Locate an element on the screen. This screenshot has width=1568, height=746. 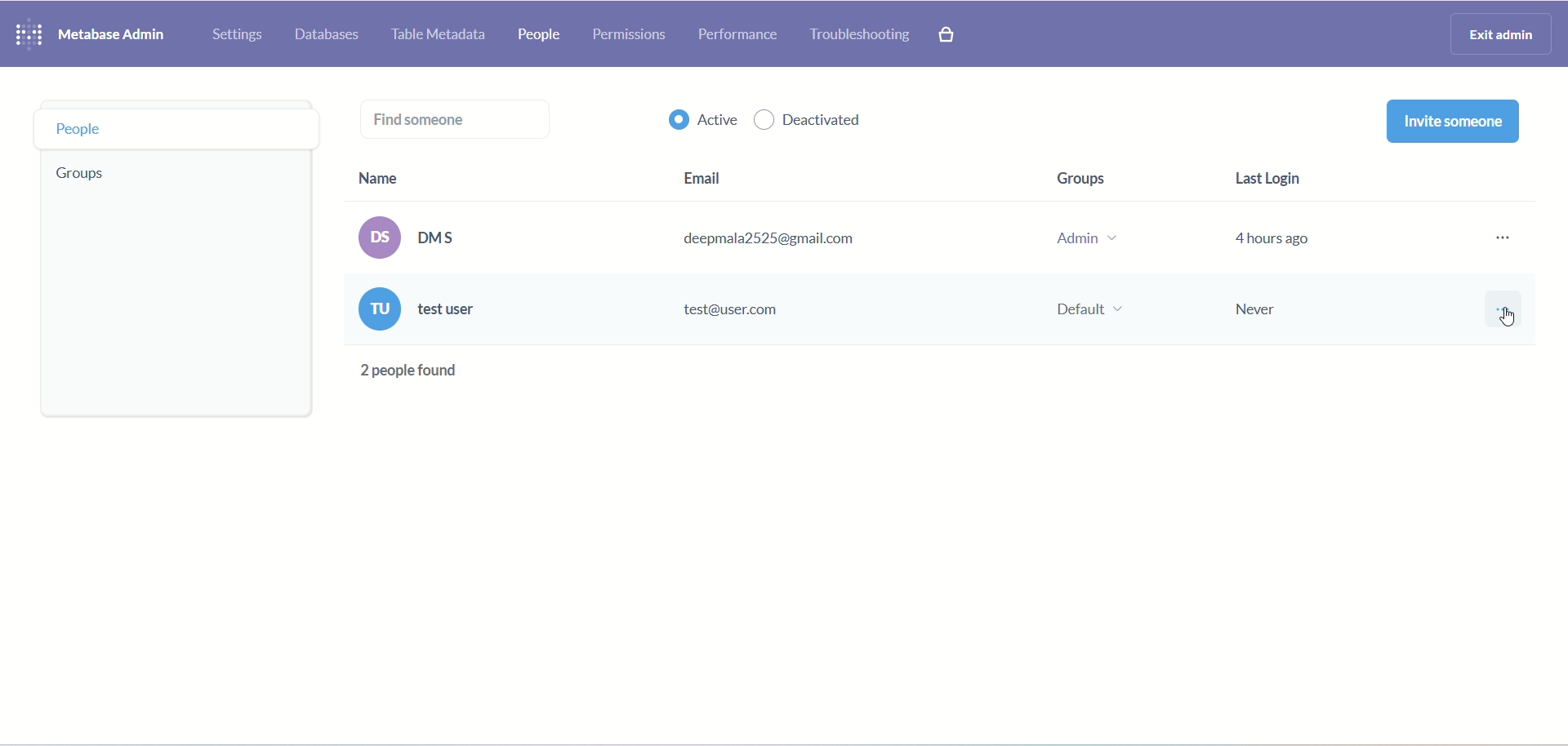
text is located at coordinates (403, 371).